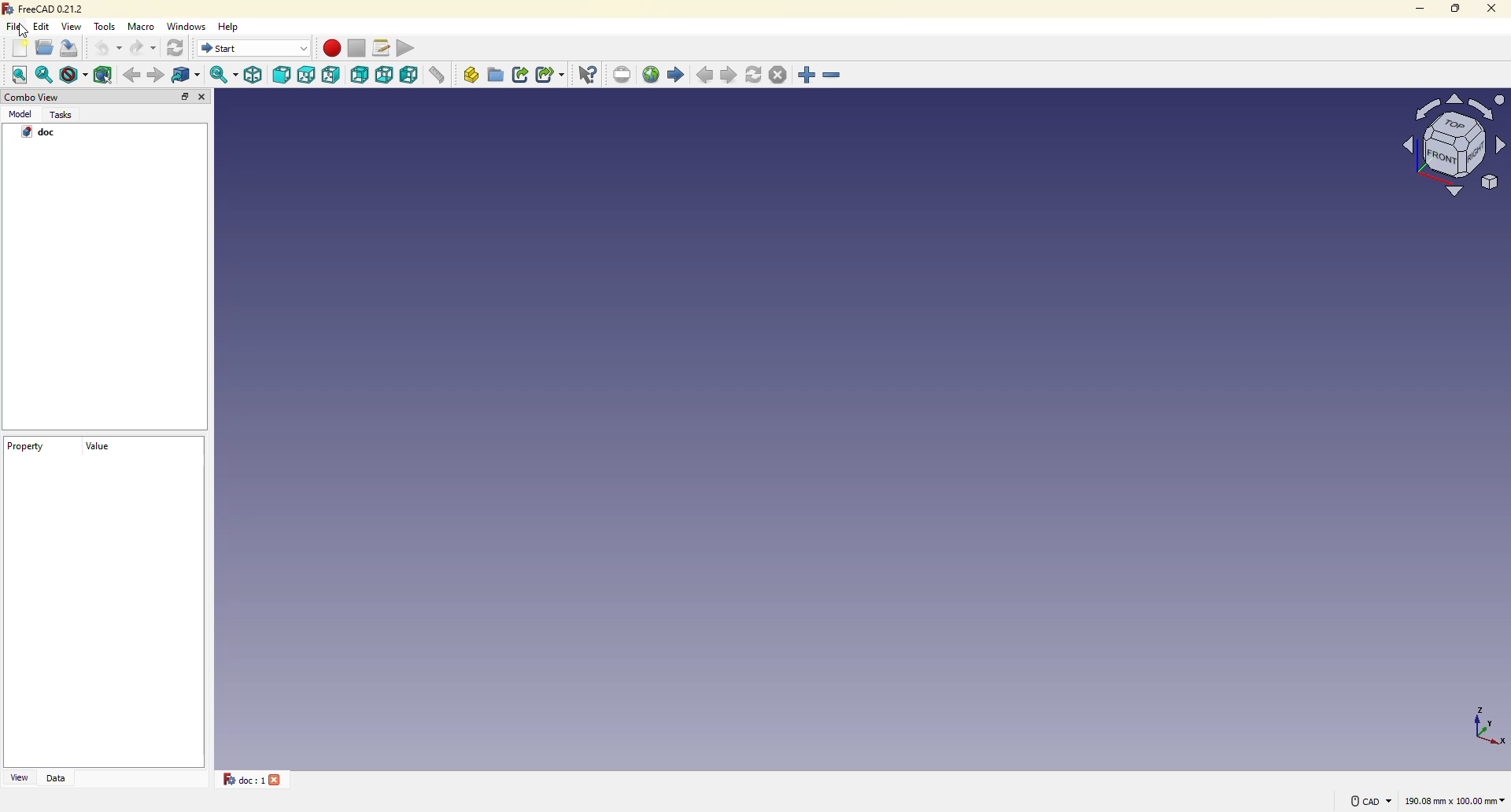 This screenshot has height=812, width=1511. What do you see at coordinates (333, 75) in the screenshot?
I see `right` at bounding box center [333, 75].